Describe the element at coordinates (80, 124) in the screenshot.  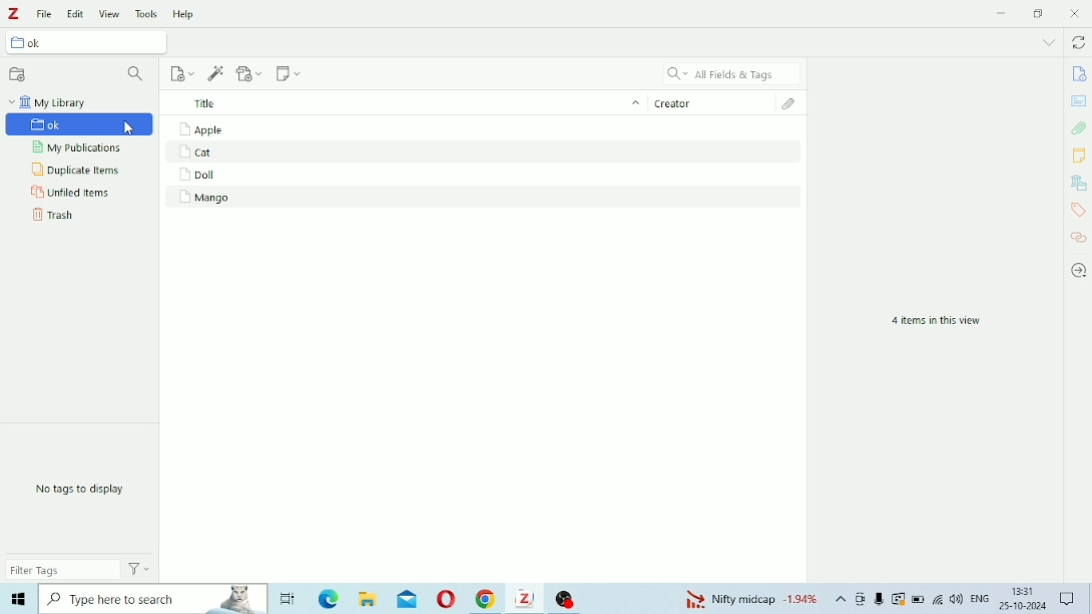
I see `ok` at that location.